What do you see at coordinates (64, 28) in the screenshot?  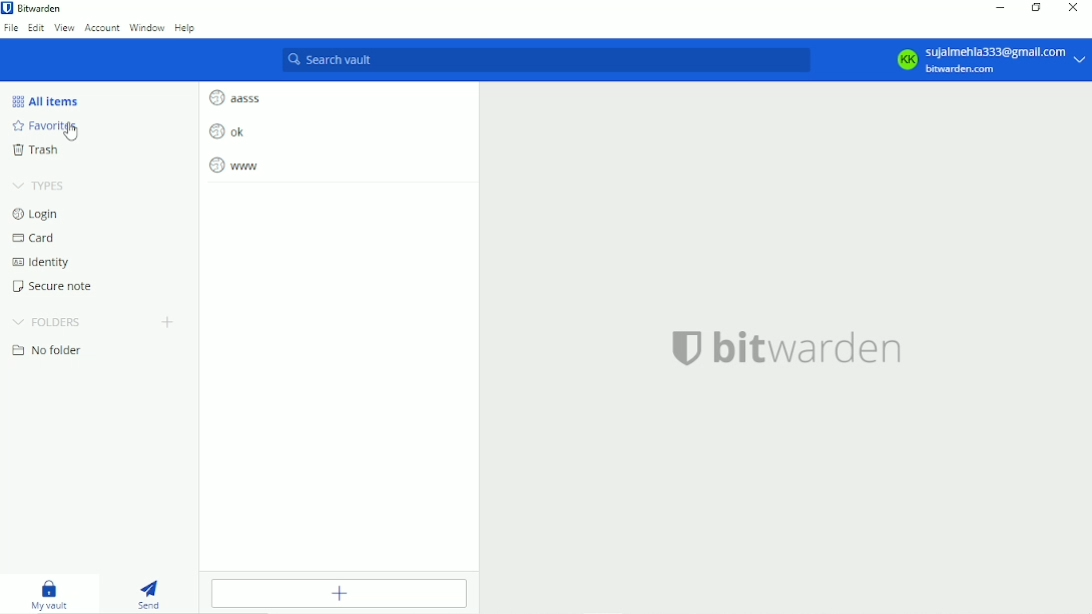 I see `View` at bounding box center [64, 28].